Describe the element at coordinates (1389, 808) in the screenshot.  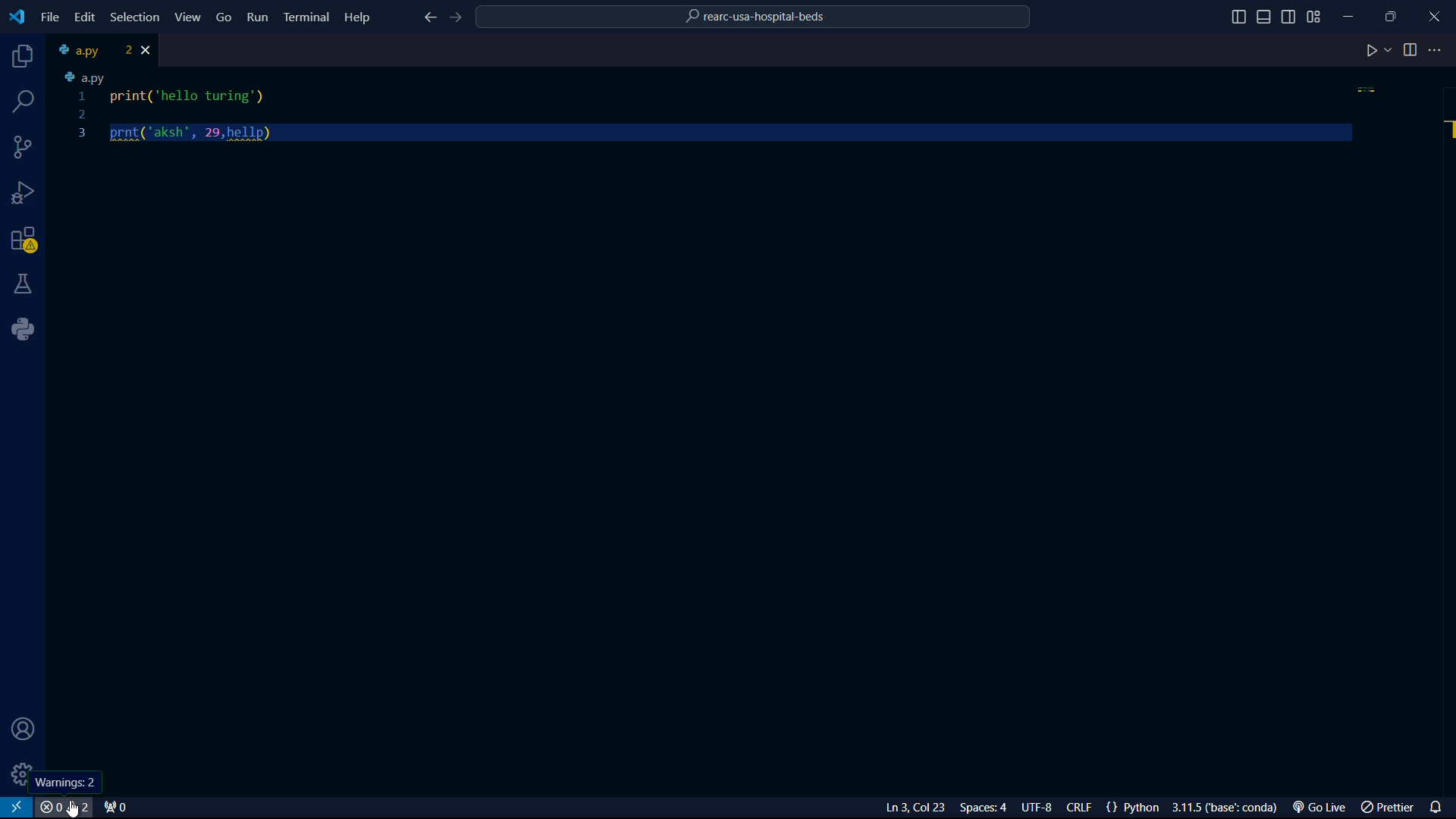
I see `prettier` at that location.